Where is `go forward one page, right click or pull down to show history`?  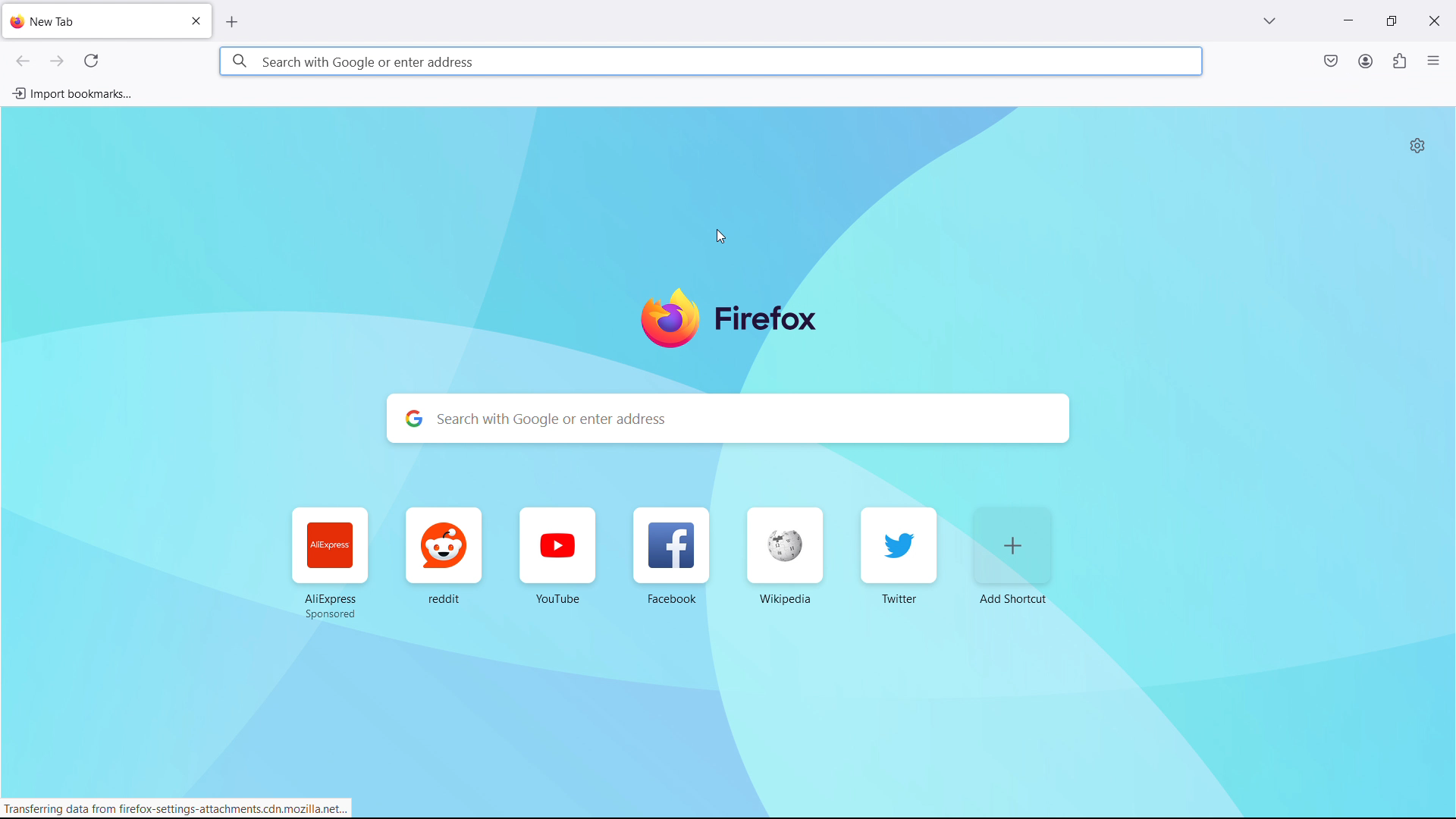
go forward one page, right click or pull down to show history is located at coordinates (57, 61).